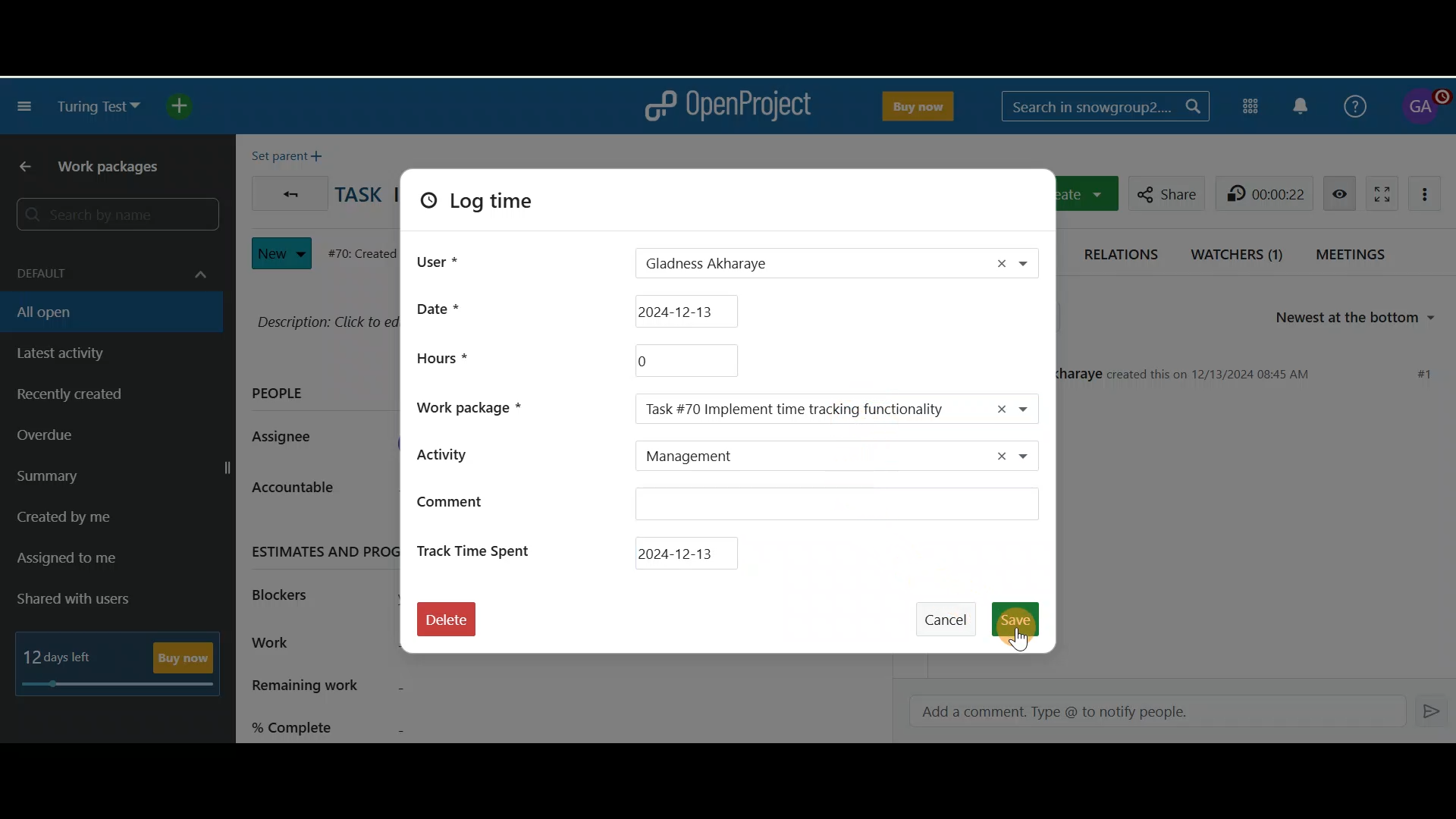 The image size is (1456, 819). I want to click on User, so click(438, 259).